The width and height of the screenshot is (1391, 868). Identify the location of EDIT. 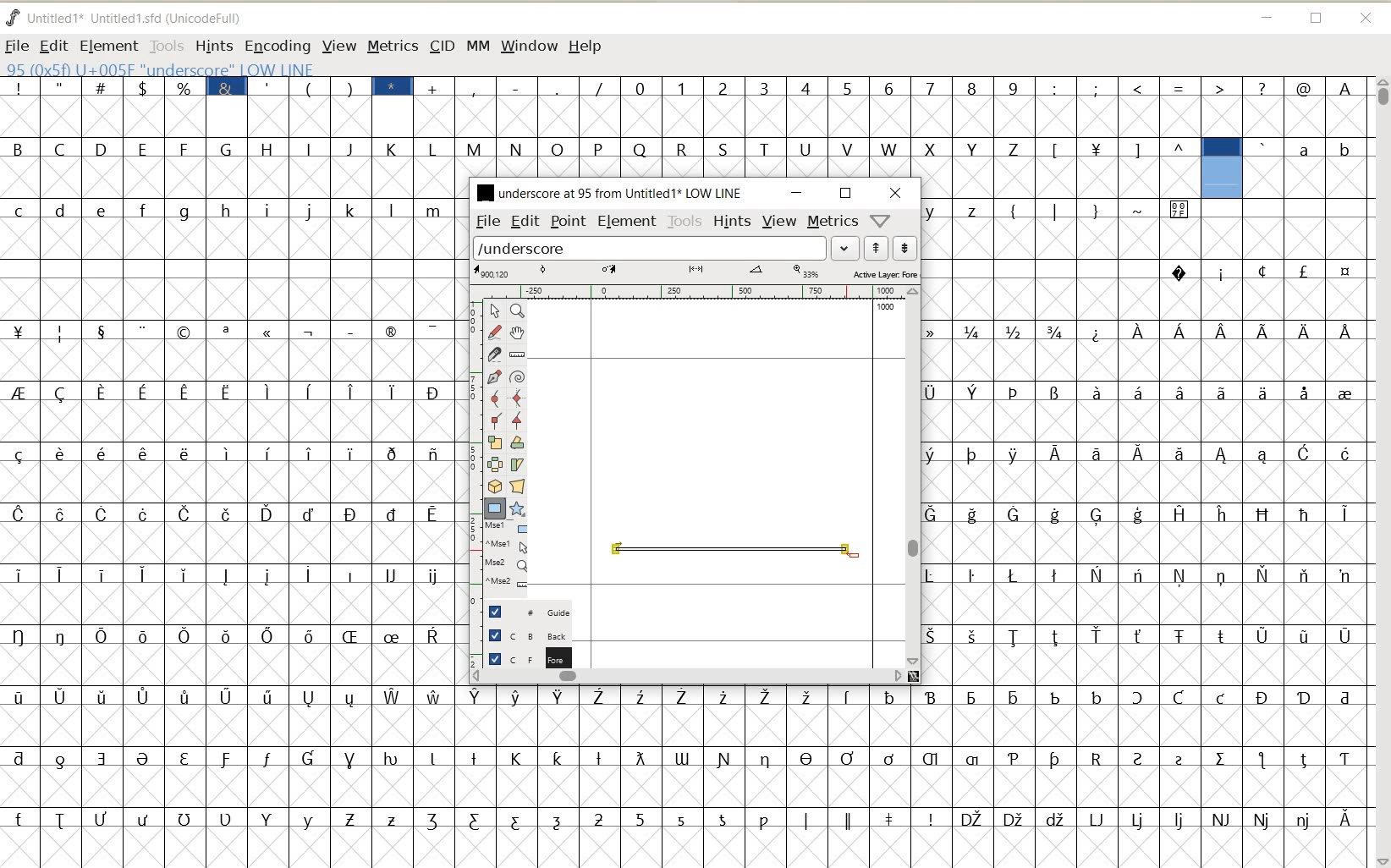
(525, 221).